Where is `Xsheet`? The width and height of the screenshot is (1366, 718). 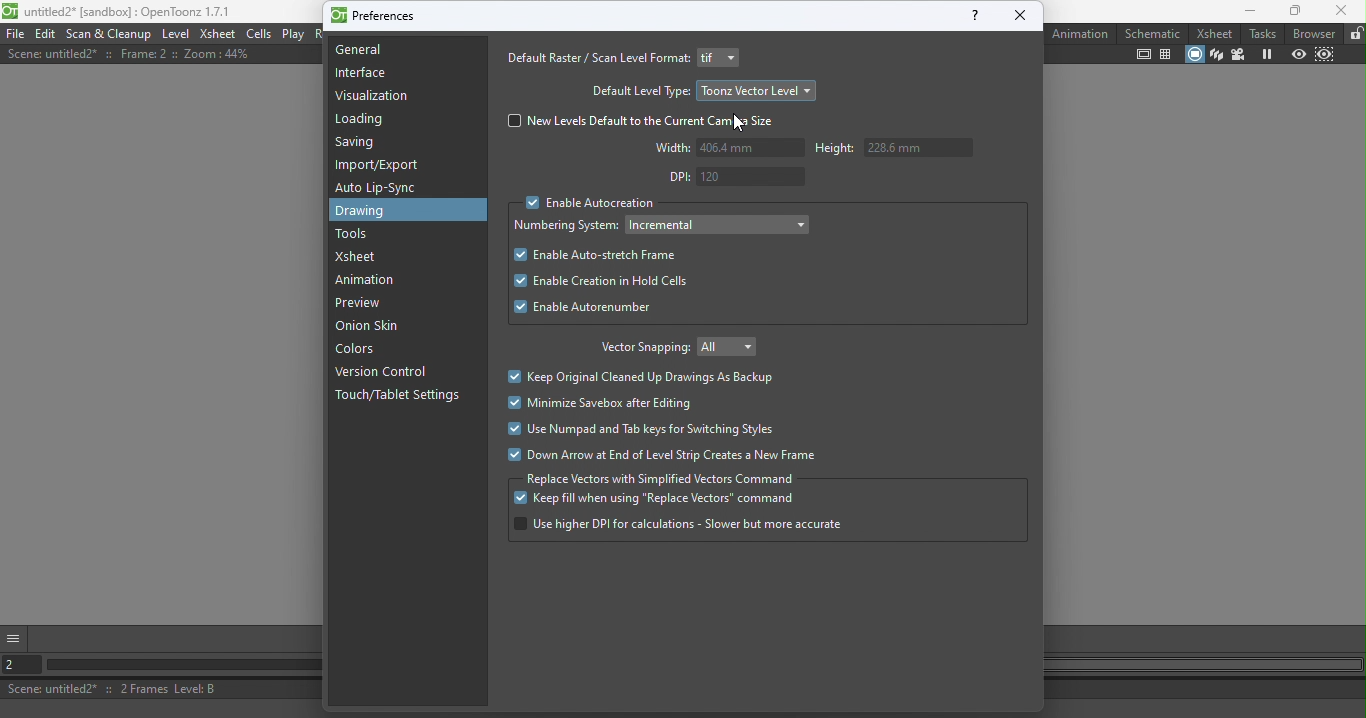 Xsheet is located at coordinates (361, 257).